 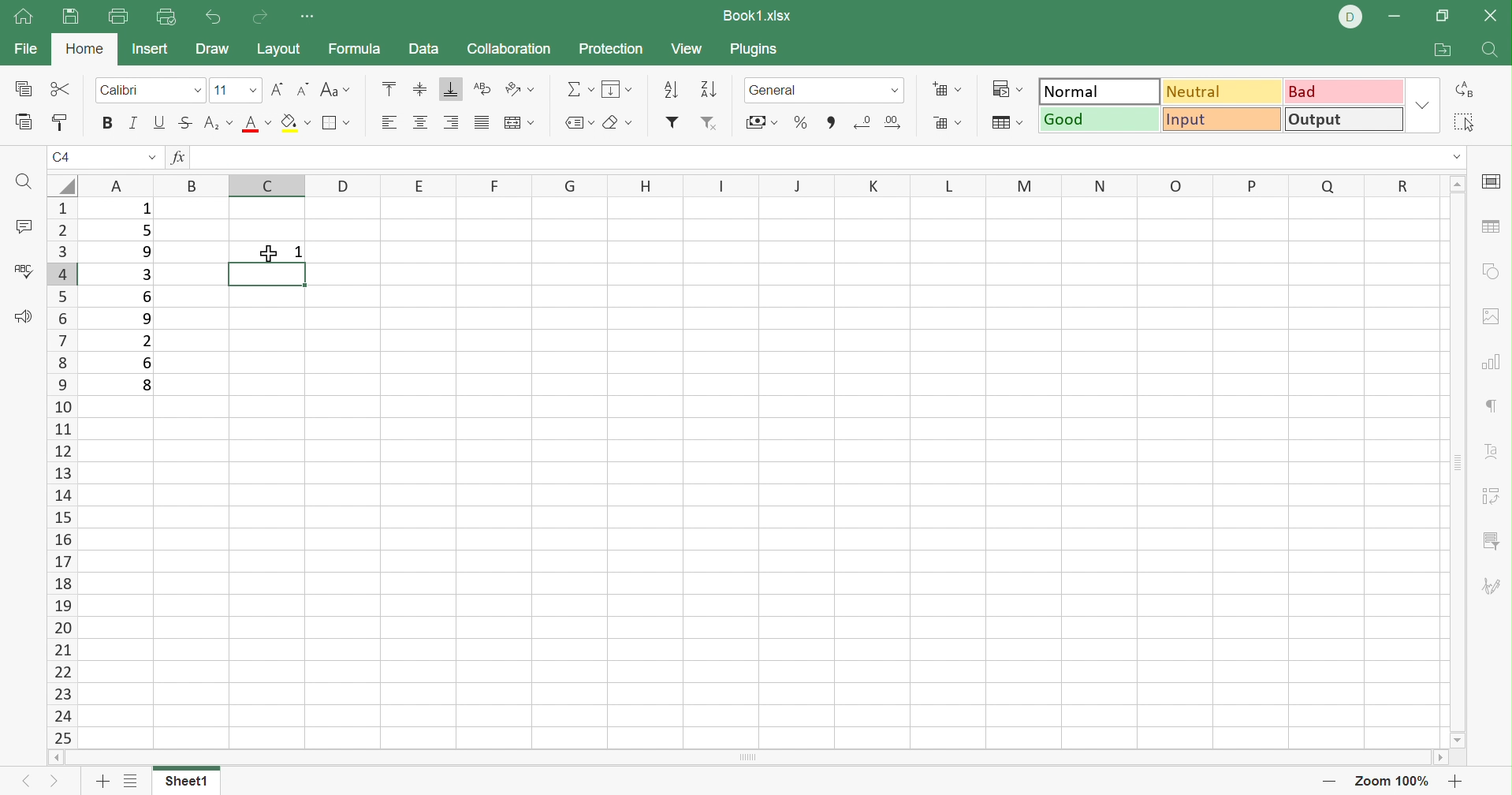 I want to click on Check spelling, so click(x=24, y=274).